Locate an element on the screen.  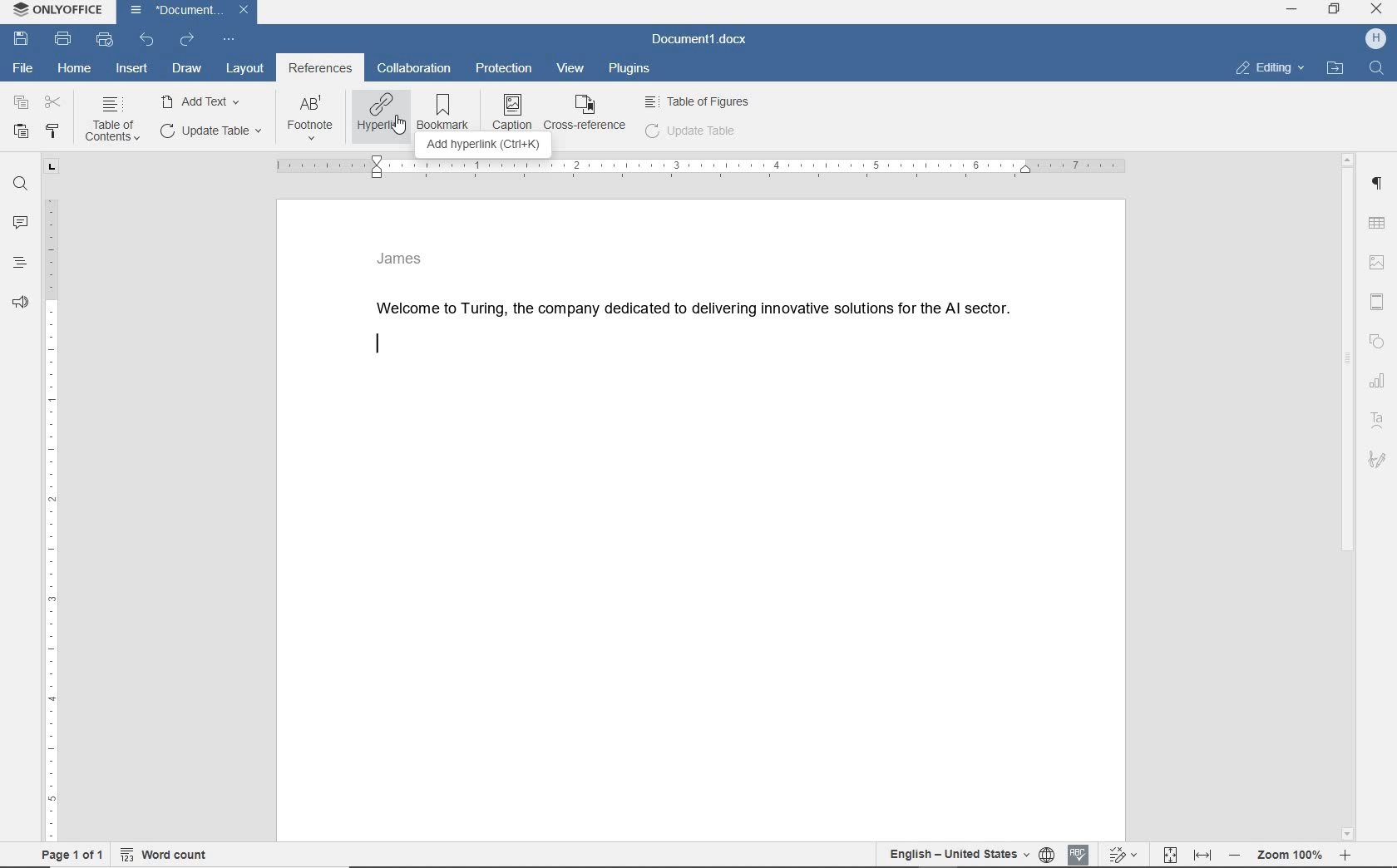
header & footer is located at coordinates (1376, 300).